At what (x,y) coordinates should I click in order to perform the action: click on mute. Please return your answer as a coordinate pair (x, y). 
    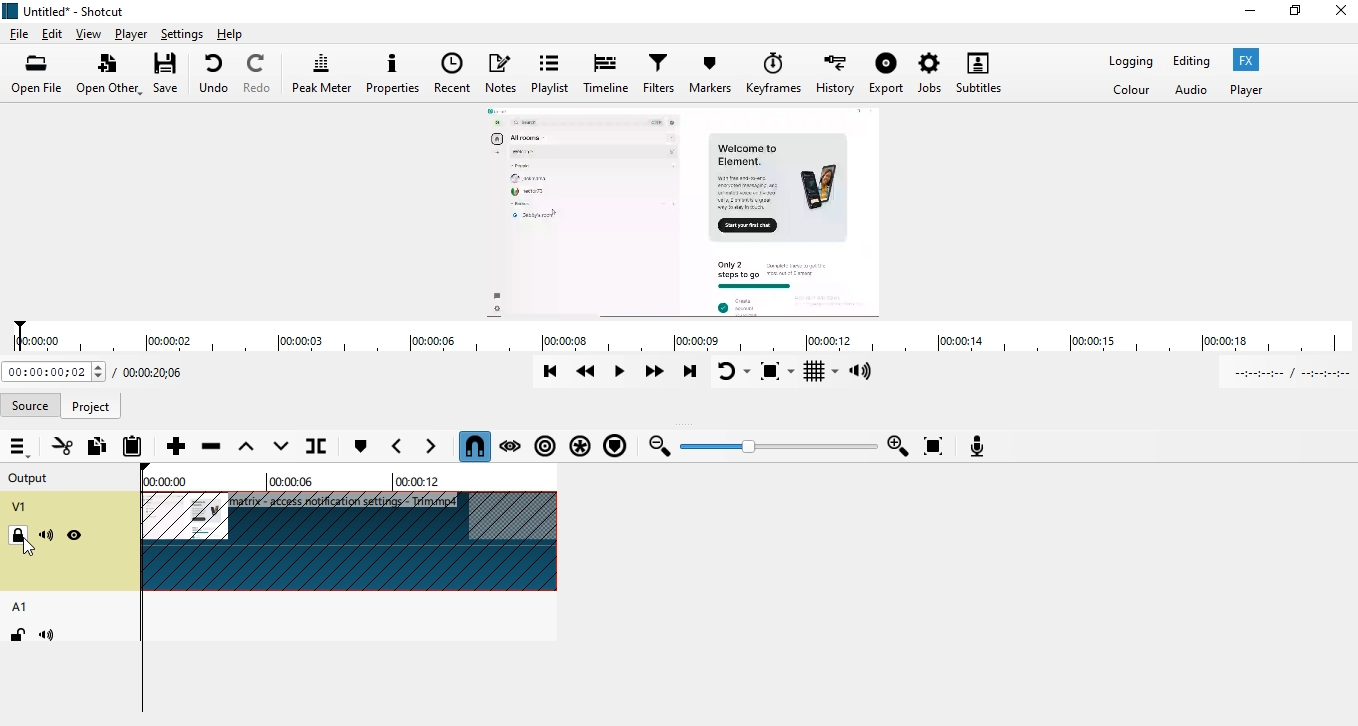
    Looking at the image, I should click on (47, 537).